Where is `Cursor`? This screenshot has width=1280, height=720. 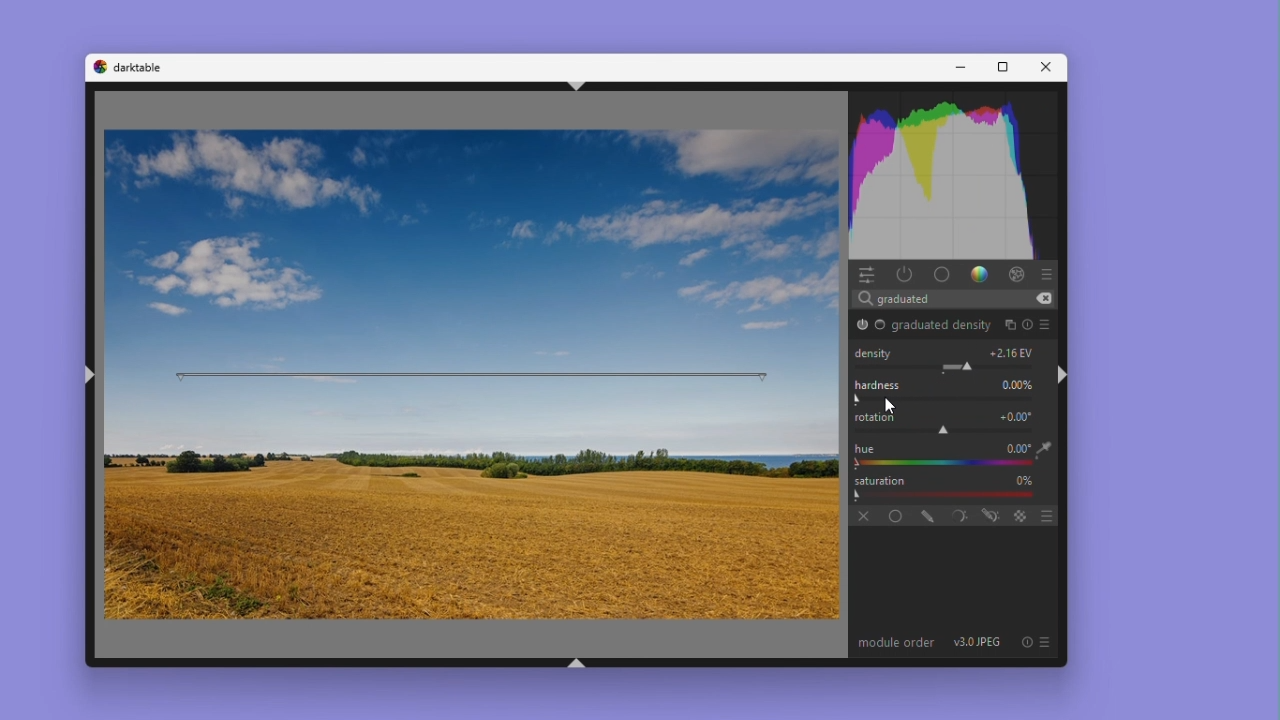 Cursor is located at coordinates (891, 405).